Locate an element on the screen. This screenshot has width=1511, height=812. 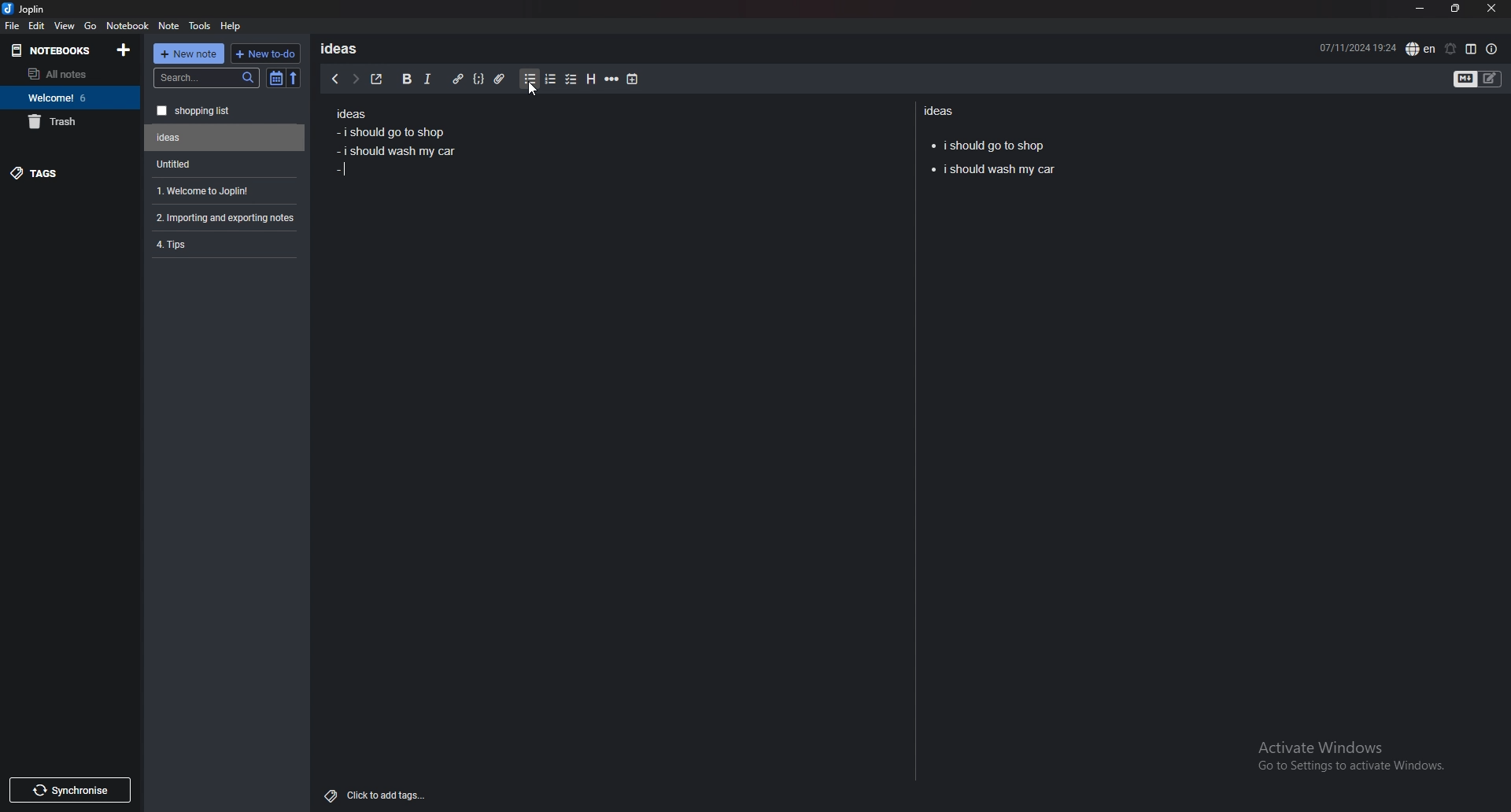
i should wash my car is located at coordinates (992, 171).